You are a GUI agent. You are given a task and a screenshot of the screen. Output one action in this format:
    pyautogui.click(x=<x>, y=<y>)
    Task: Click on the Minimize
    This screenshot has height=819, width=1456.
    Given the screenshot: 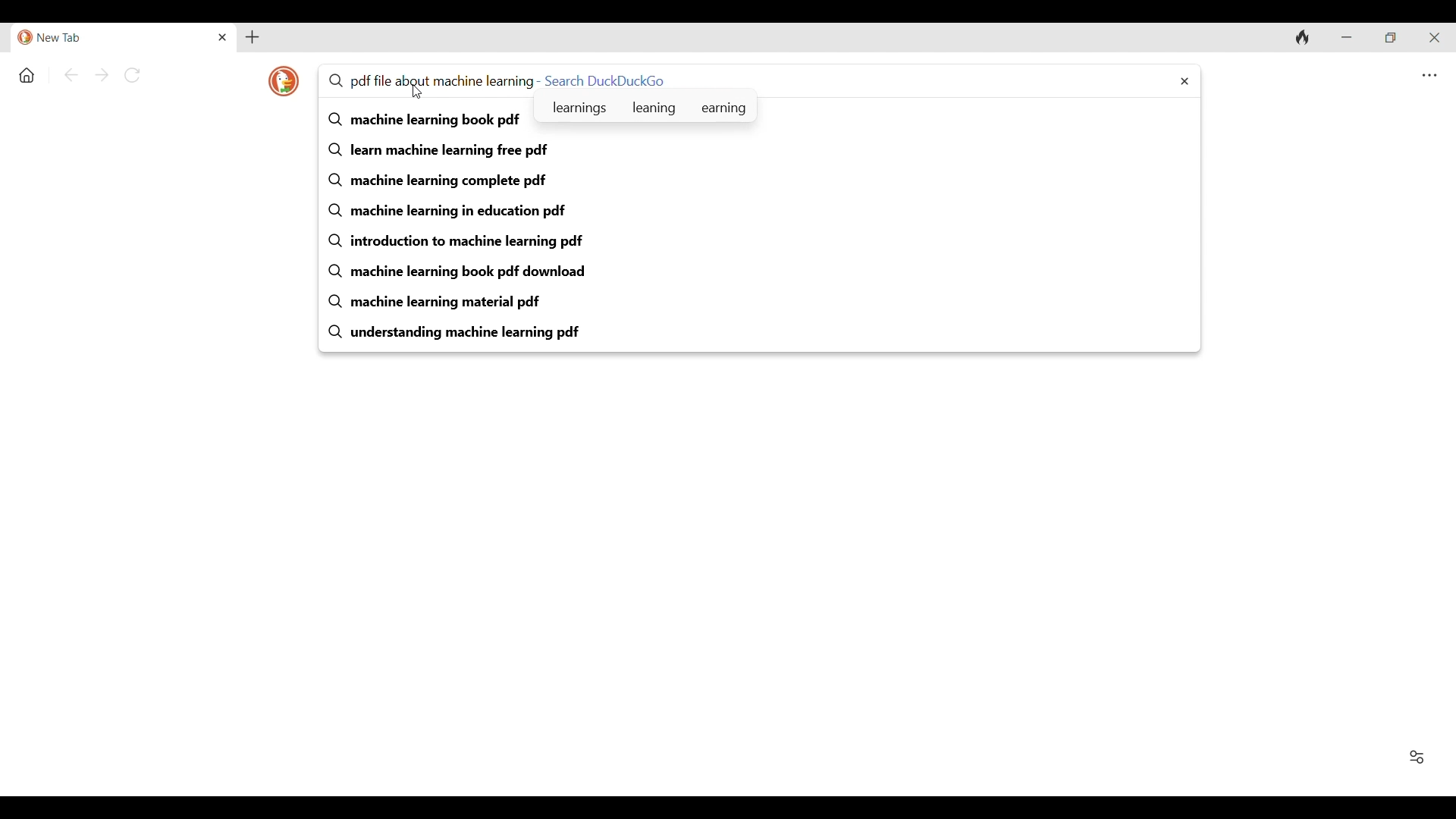 What is the action you would take?
    pyautogui.click(x=1345, y=37)
    